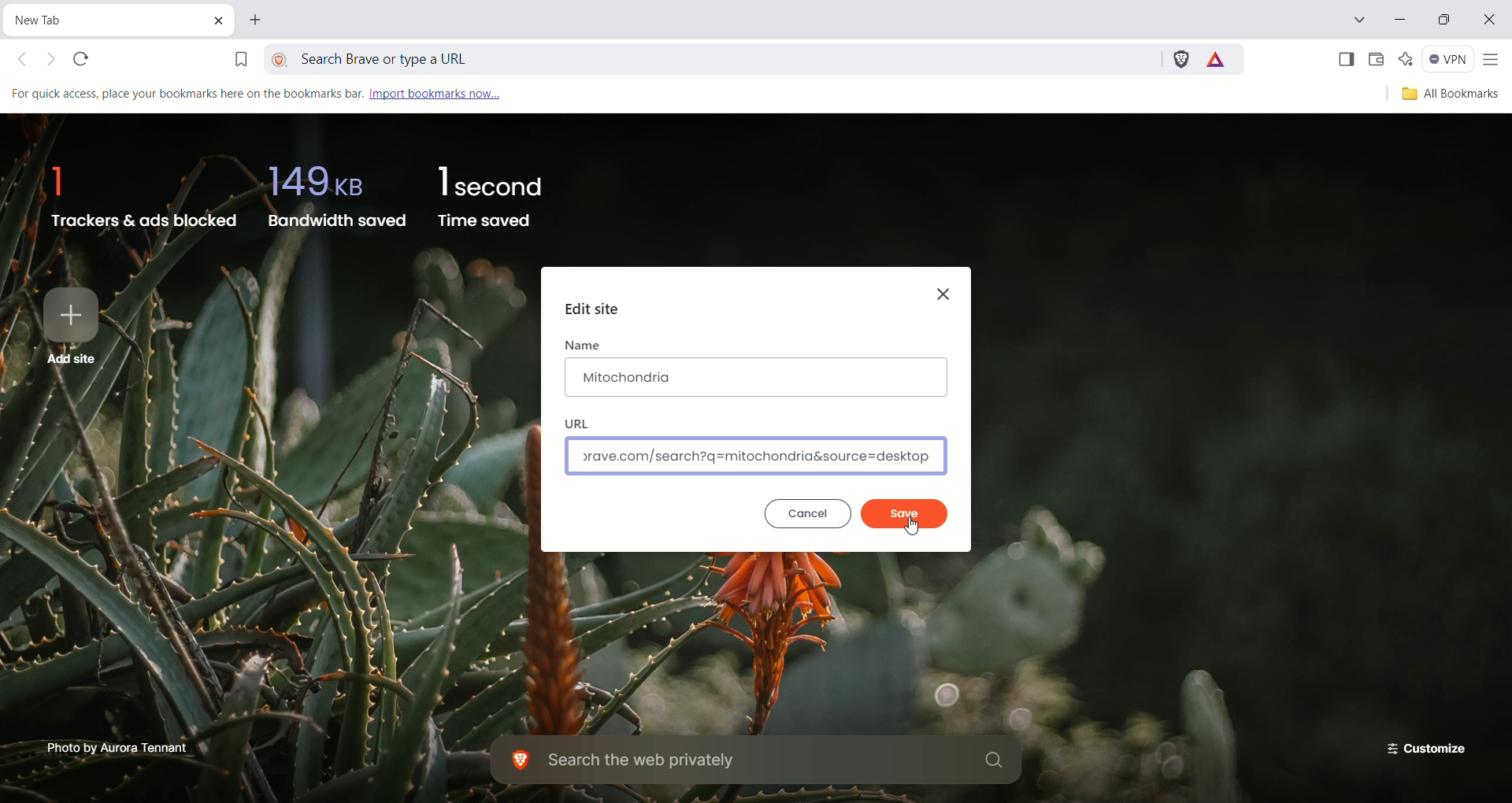  Describe the element at coordinates (1494, 61) in the screenshot. I see `customize and control brave` at that location.